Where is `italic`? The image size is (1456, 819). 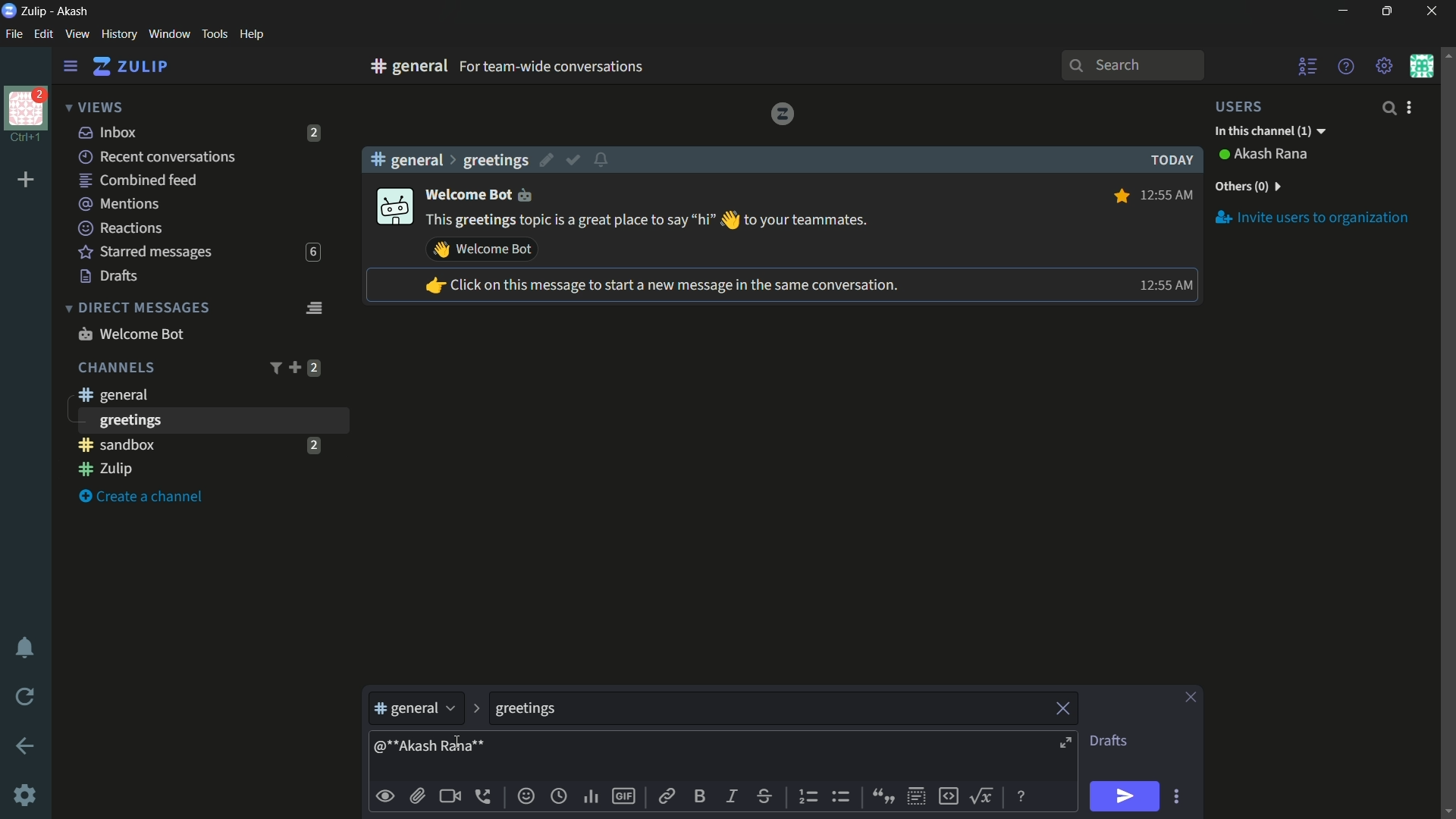
italic is located at coordinates (730, 795).